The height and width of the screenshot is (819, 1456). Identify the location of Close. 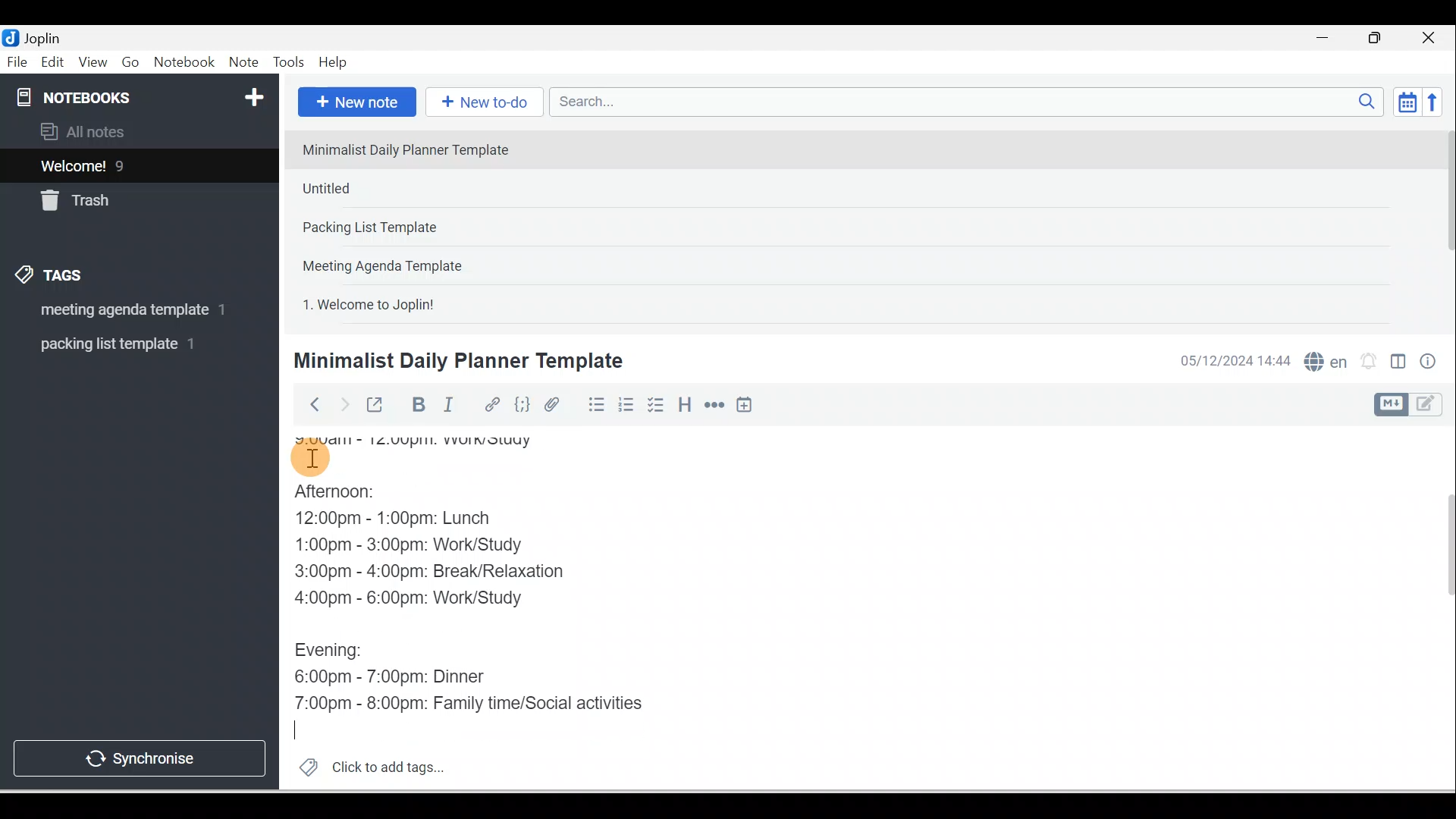
(1432, 38).